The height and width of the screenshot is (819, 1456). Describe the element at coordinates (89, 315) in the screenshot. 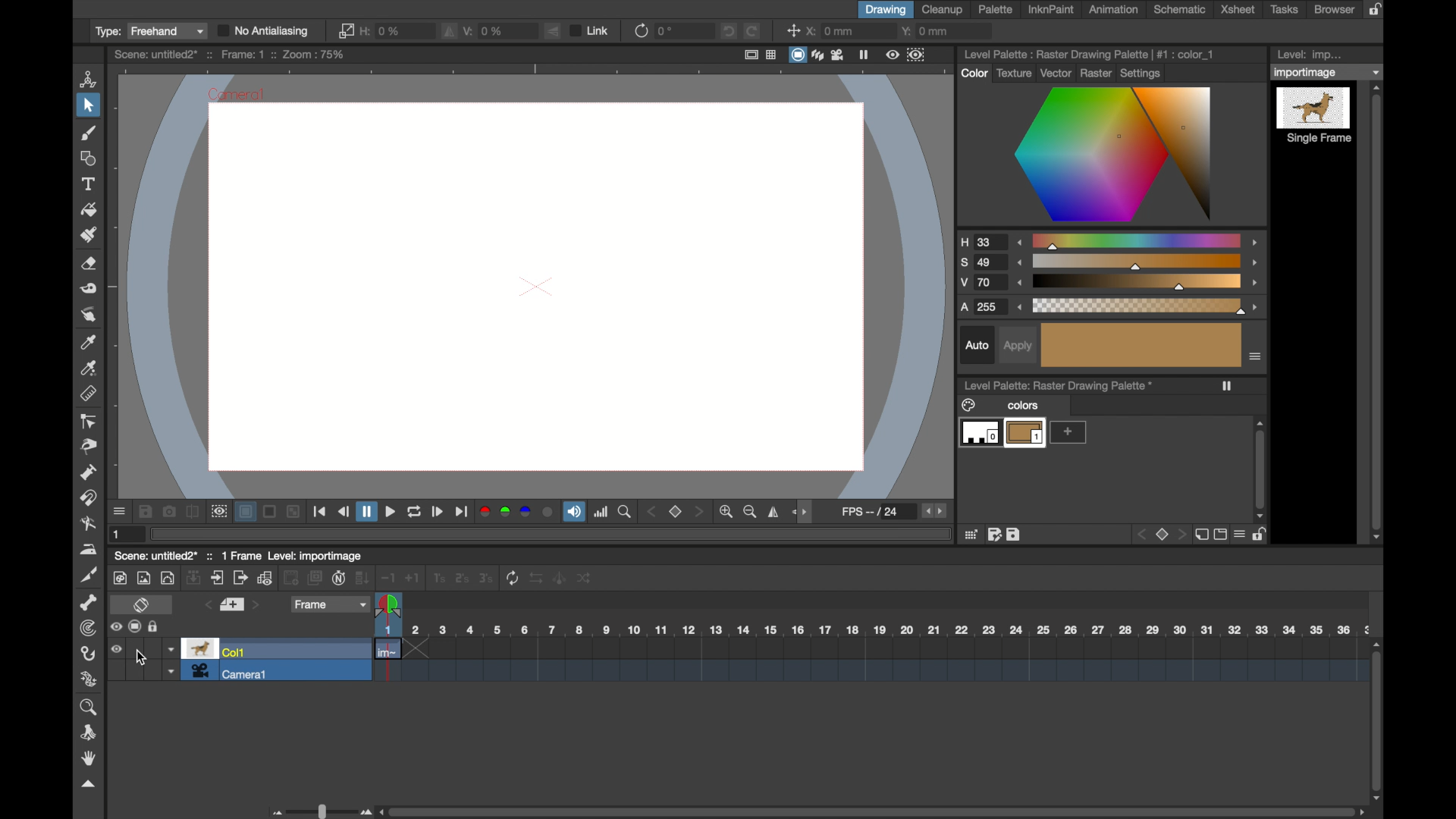

I see `finger tool` at that location.